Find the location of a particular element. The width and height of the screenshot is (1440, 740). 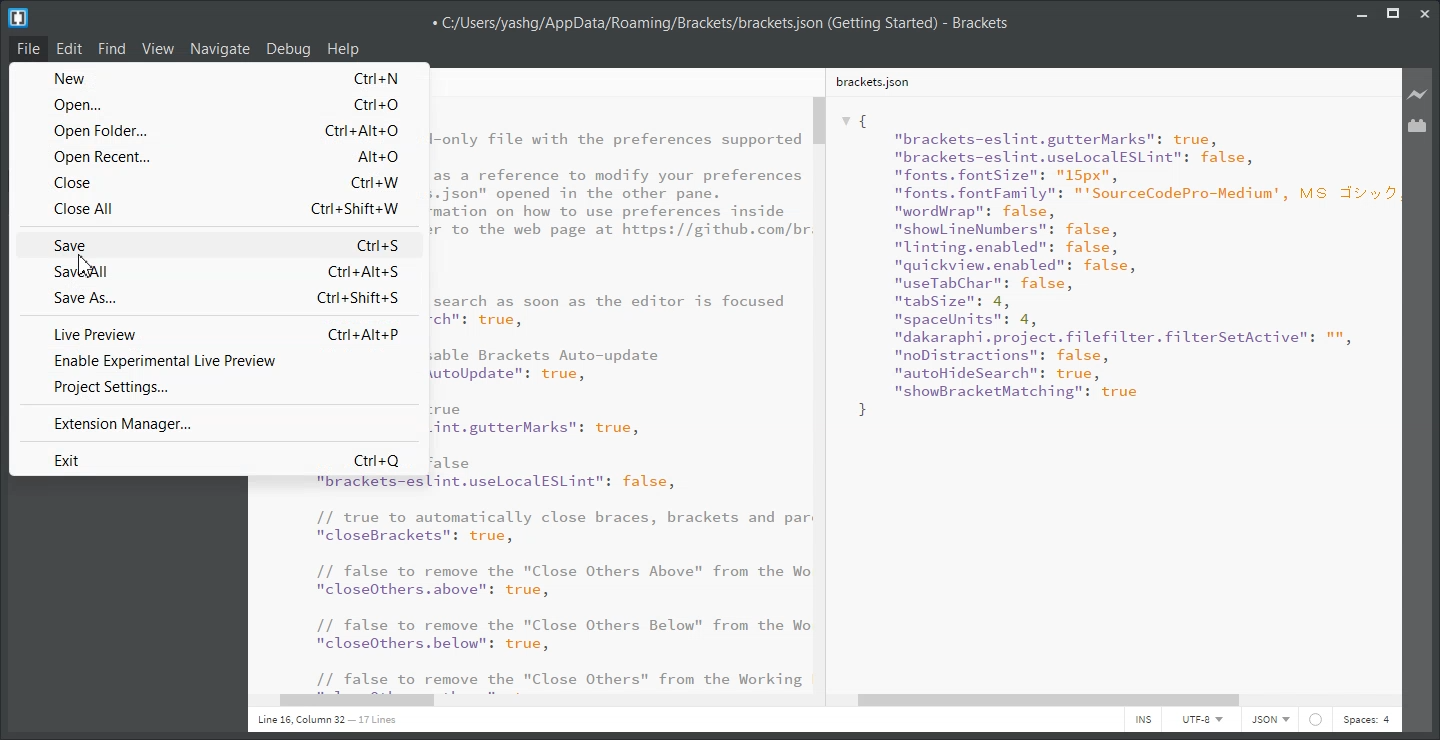

Spaces: 4 is located at coordinates (1366, 720).